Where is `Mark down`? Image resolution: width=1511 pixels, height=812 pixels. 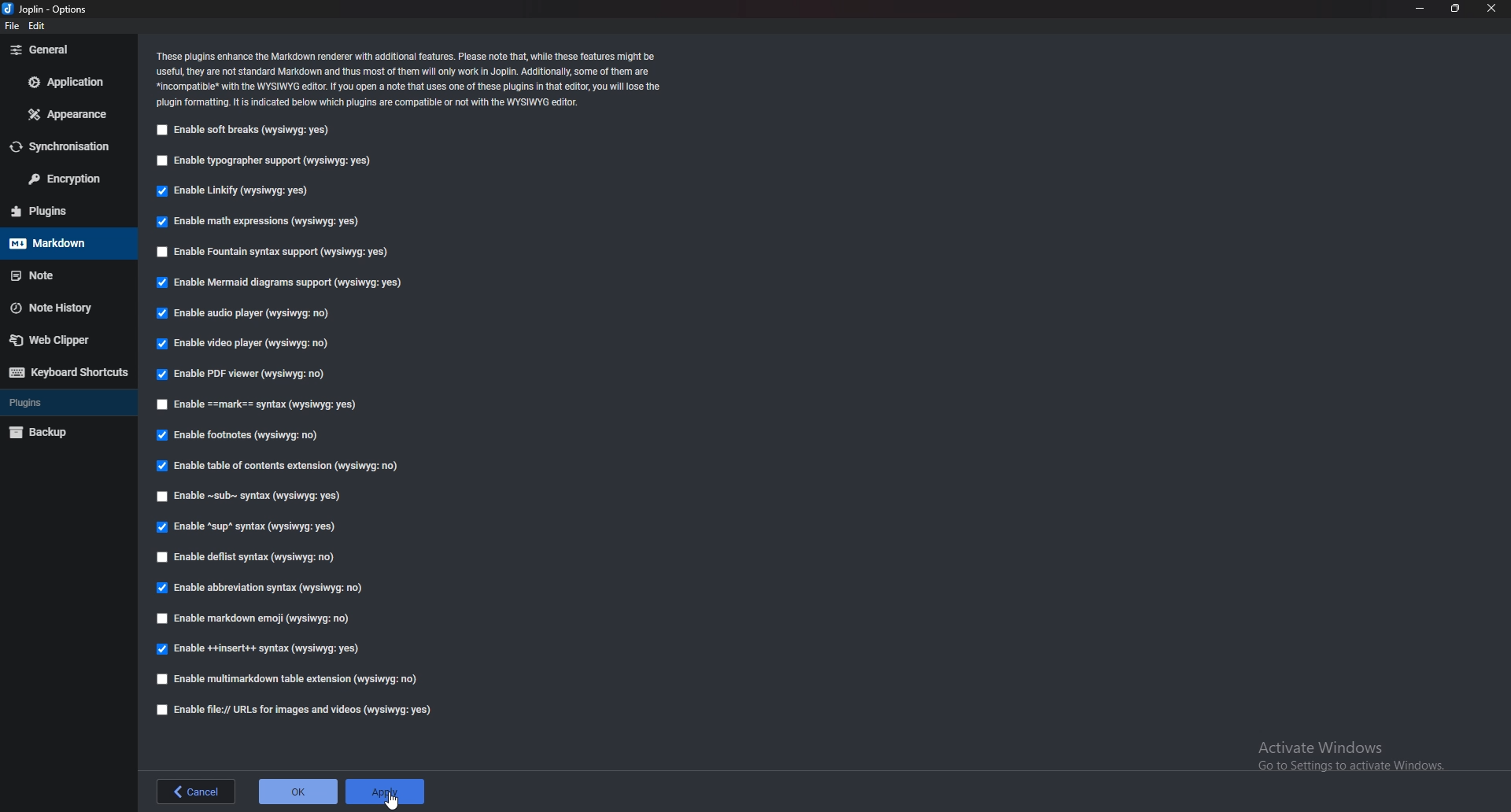 Mark down is located at coordinates (62, 243).